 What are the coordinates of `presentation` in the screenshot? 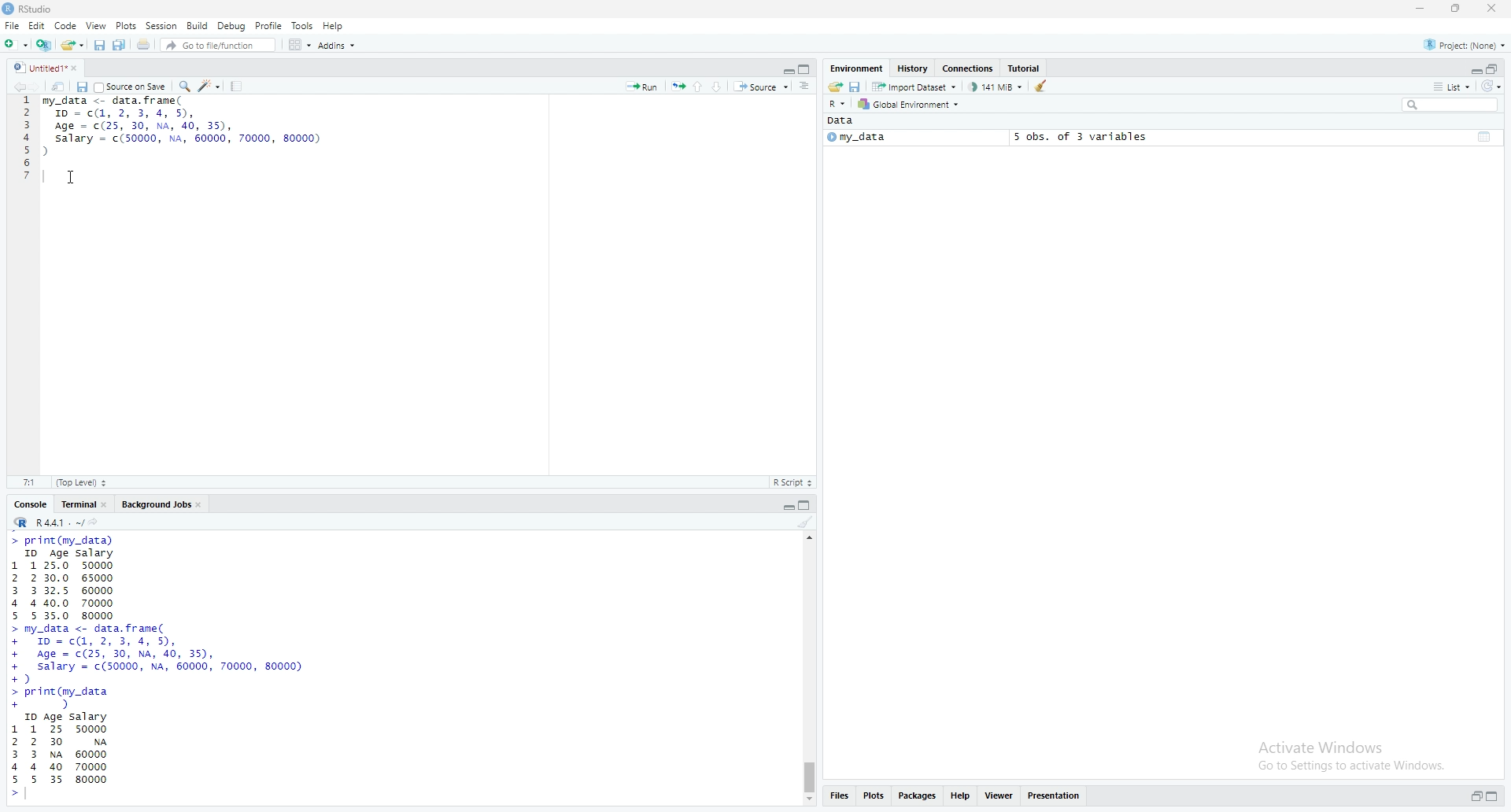 It's located at (1059, 795).